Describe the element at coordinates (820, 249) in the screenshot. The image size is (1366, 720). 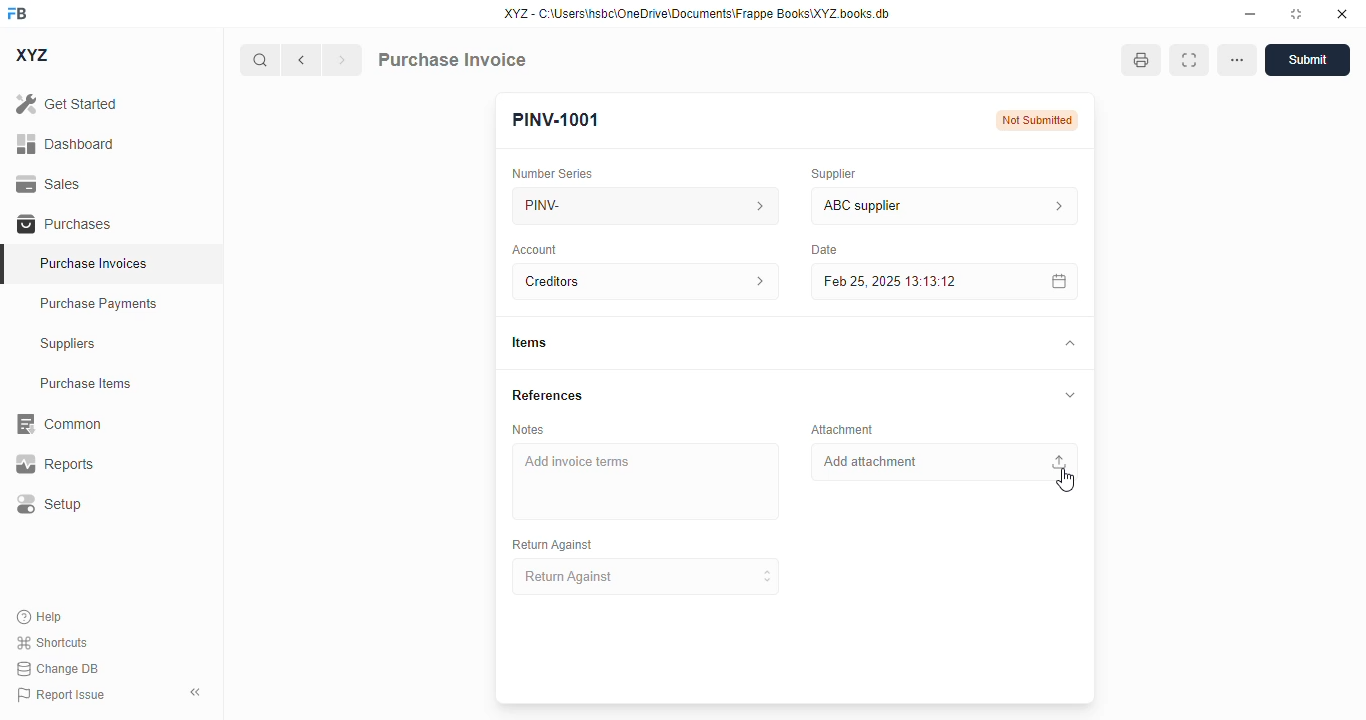
I see `date` at that location.